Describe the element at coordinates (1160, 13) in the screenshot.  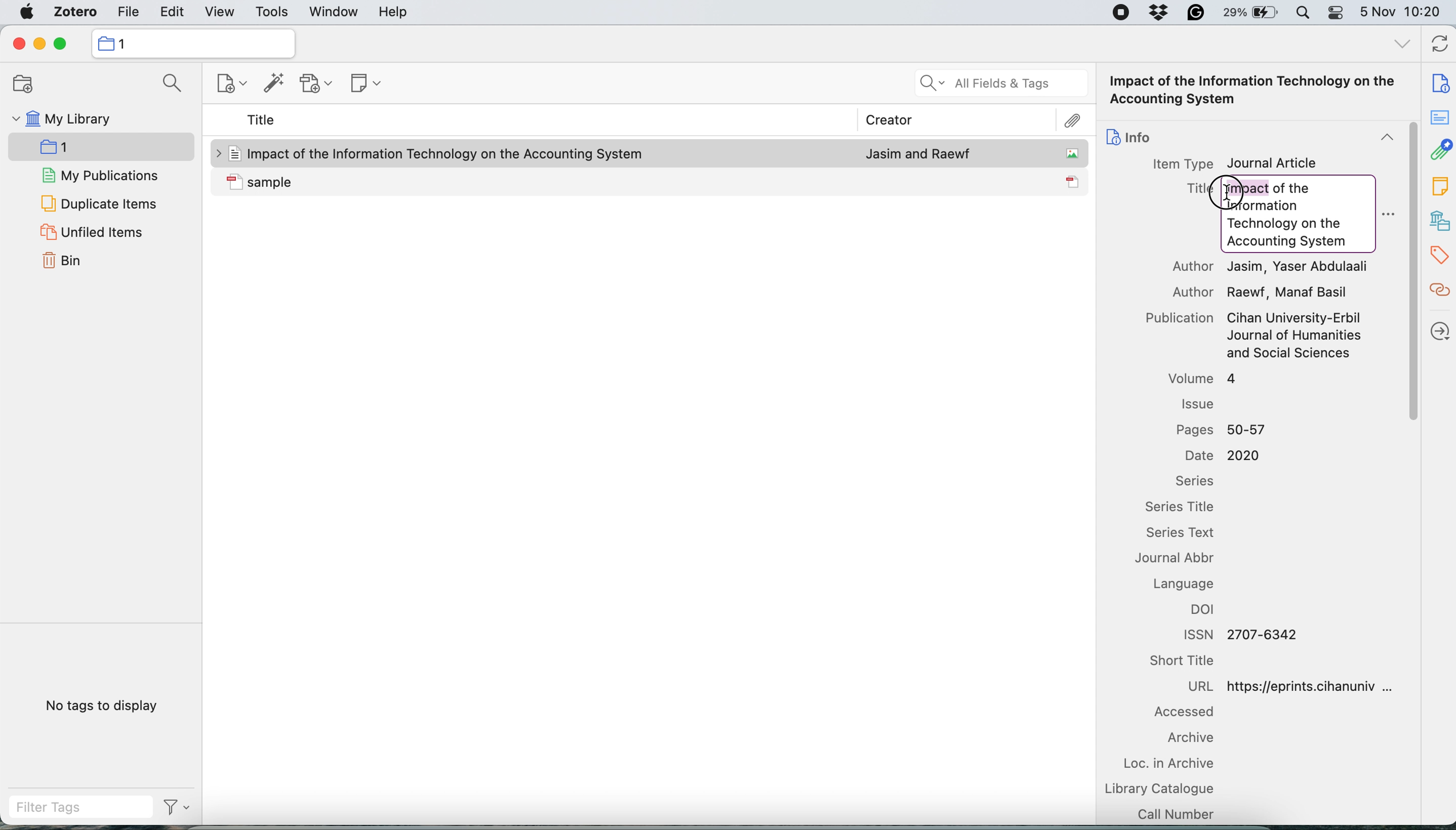
I see `dropbox` at that location.